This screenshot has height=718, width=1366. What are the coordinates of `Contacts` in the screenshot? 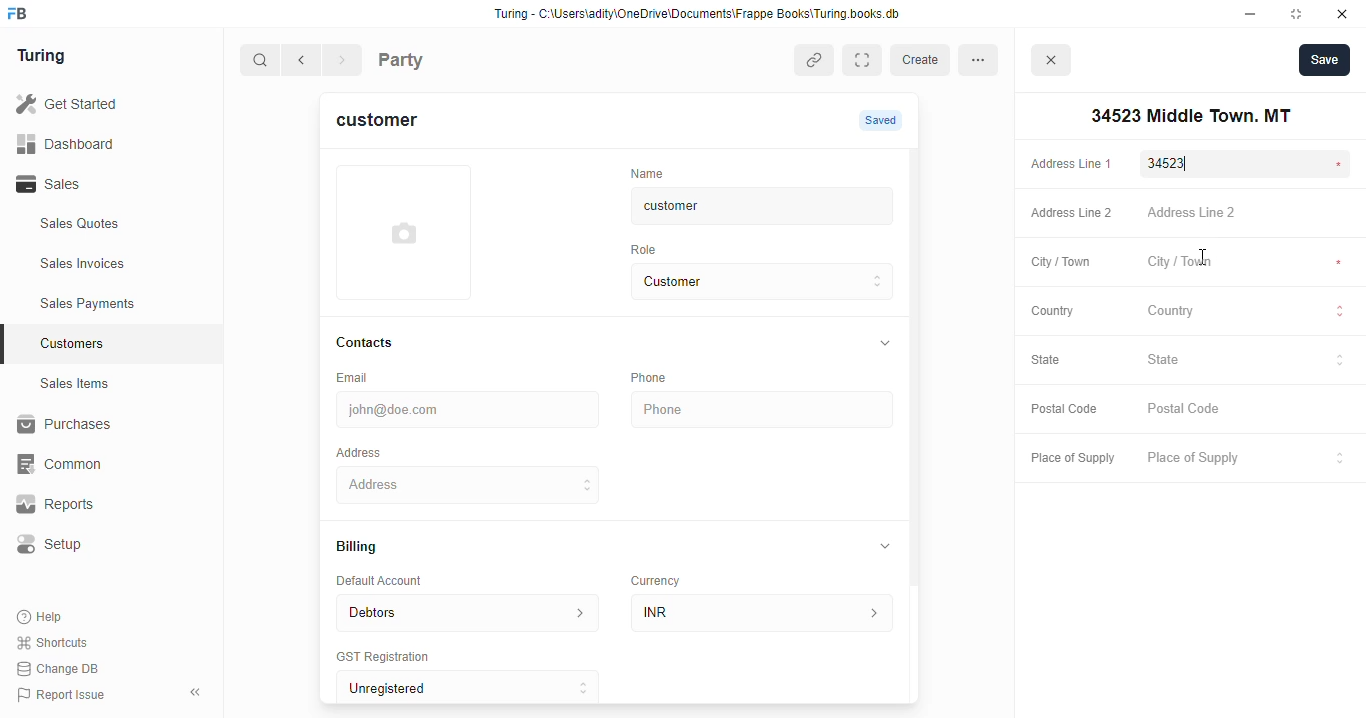 It's located at (384, 343).